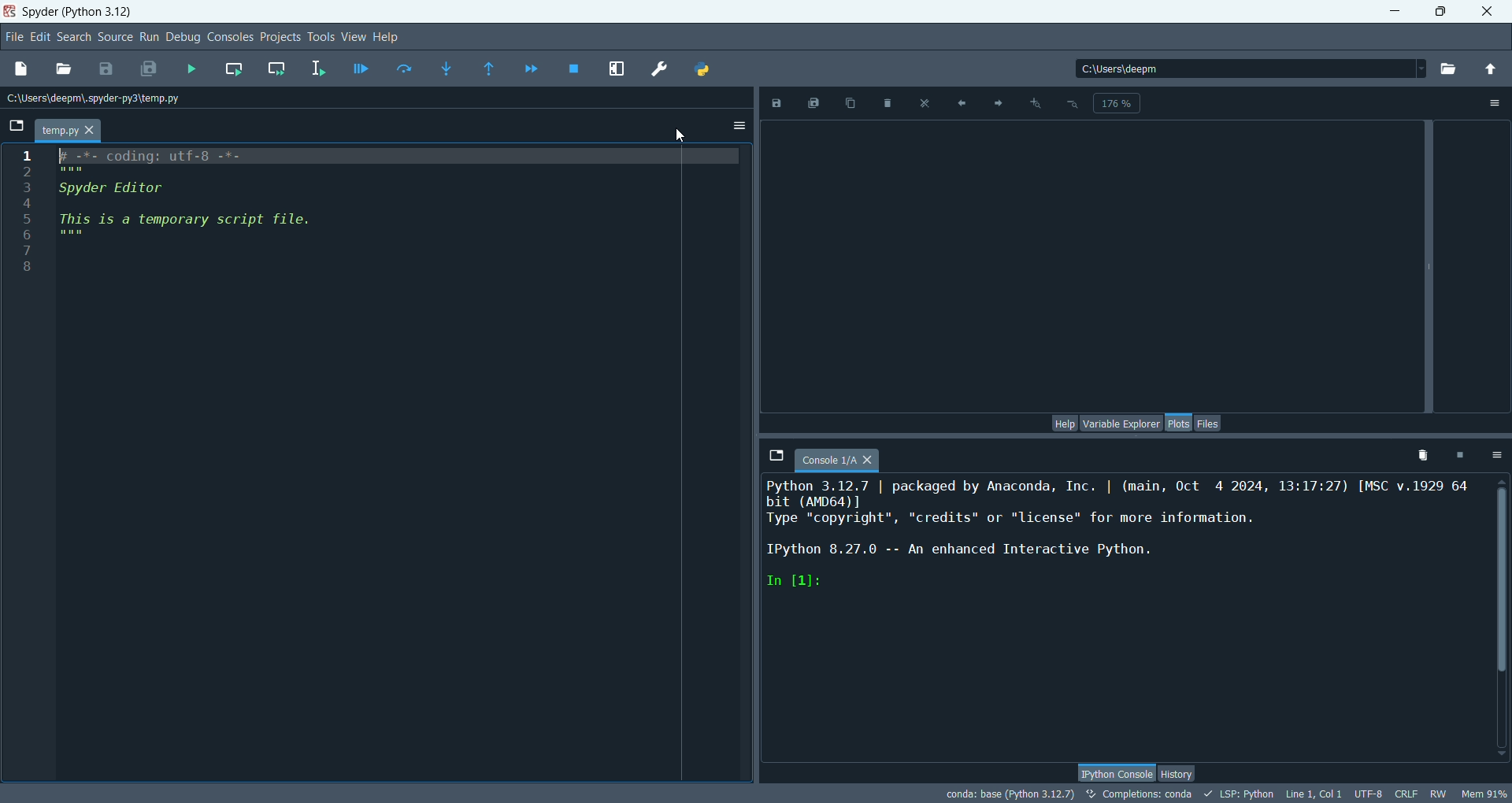  Describe the element at coordinates (191, 68) in the screenshot. I see `run file` at that location.